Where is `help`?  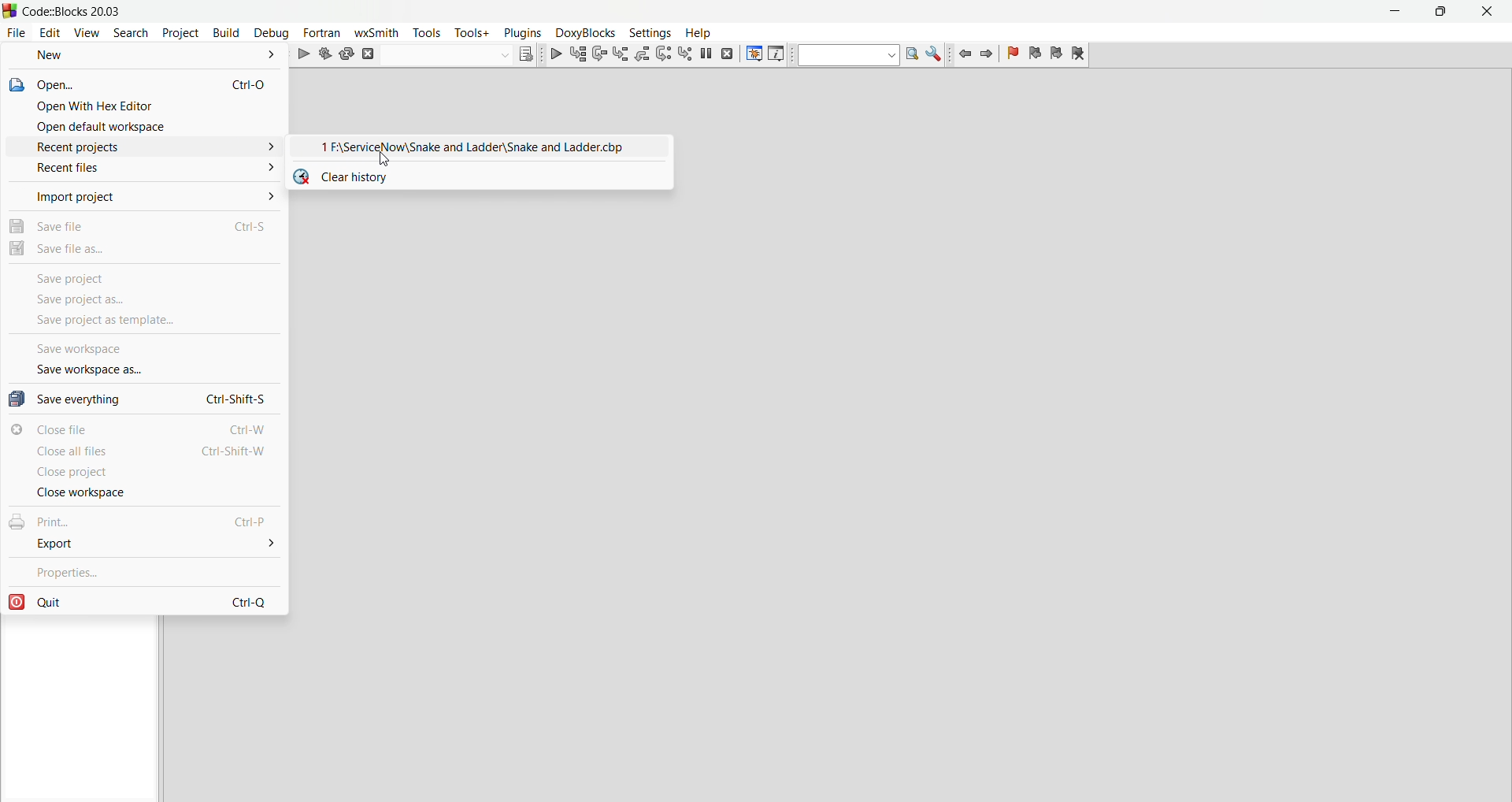 help is located at coordinates (696, 32).